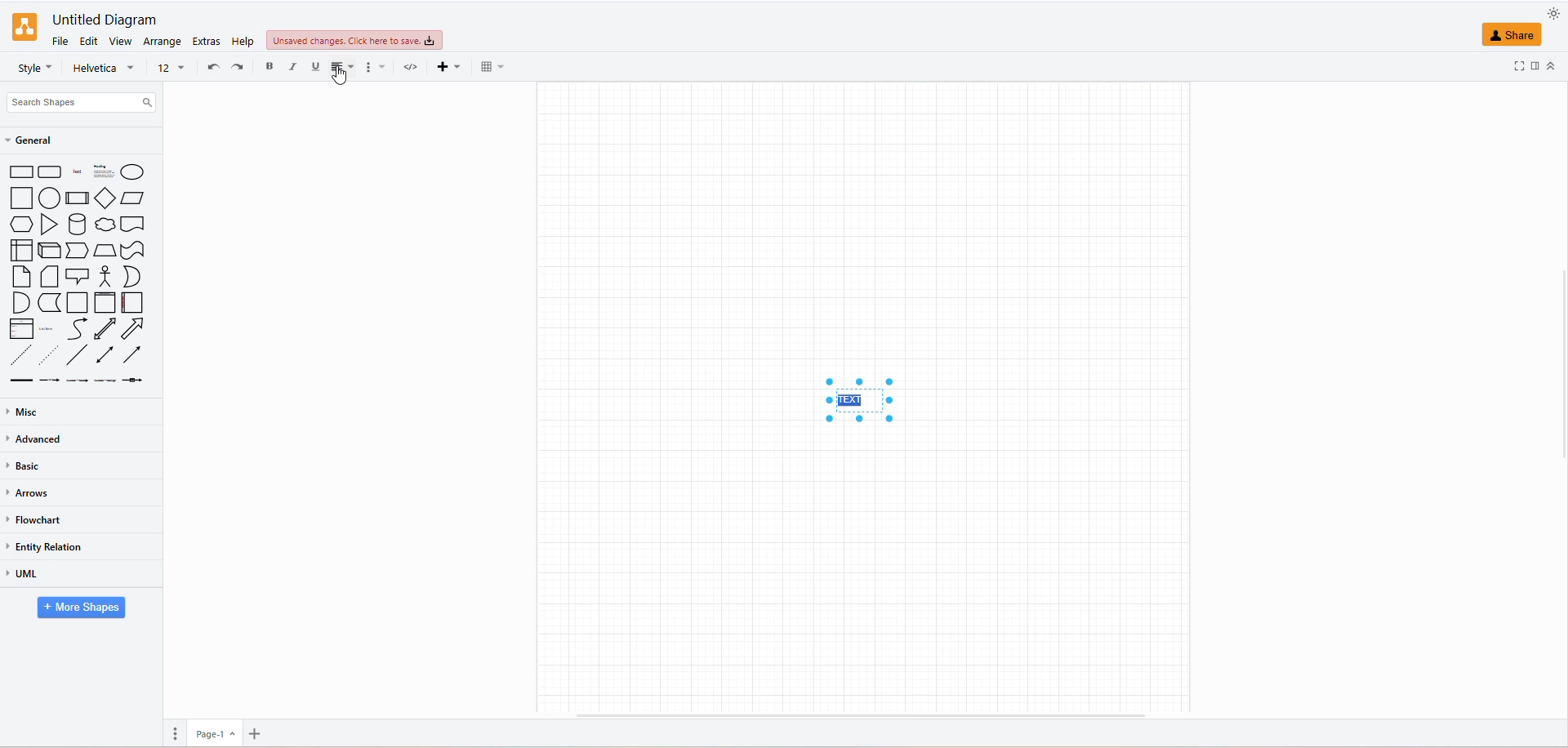 This screenshot has height=748, width=1568. I want to click on text, so click(858, 398).